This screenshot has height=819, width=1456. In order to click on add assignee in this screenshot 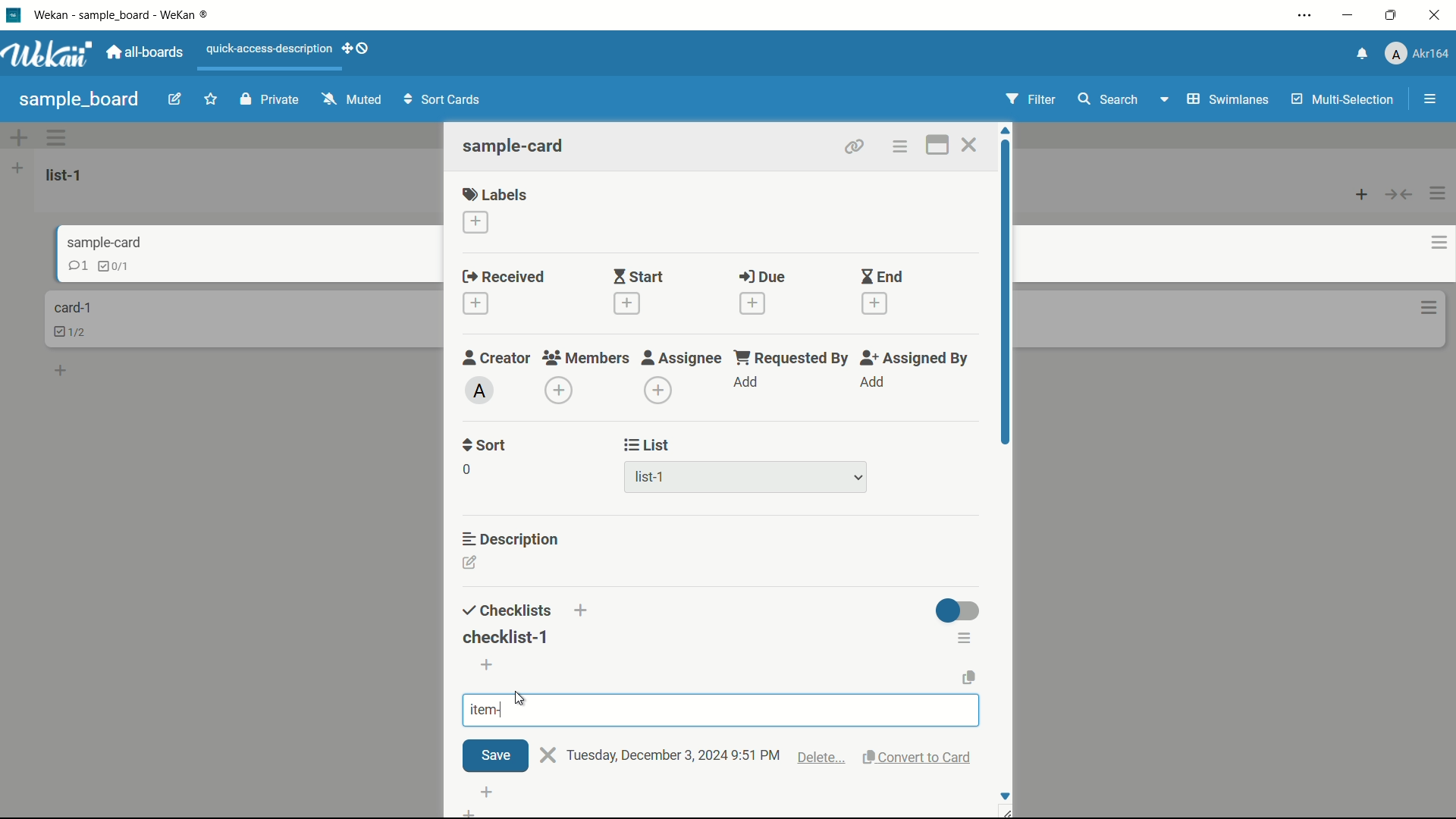, I will do `click(872, 381)`.